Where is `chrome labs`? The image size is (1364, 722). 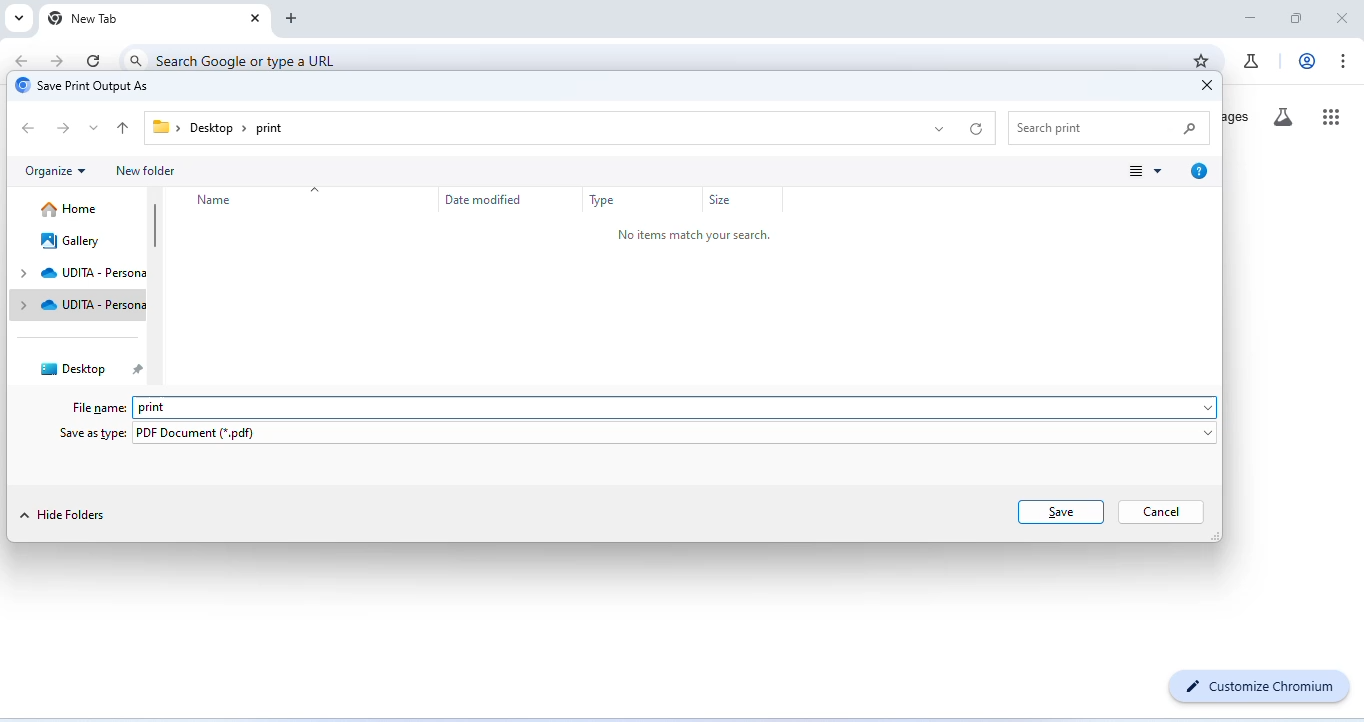
chrome labs is located at coordinates (1251, 60).